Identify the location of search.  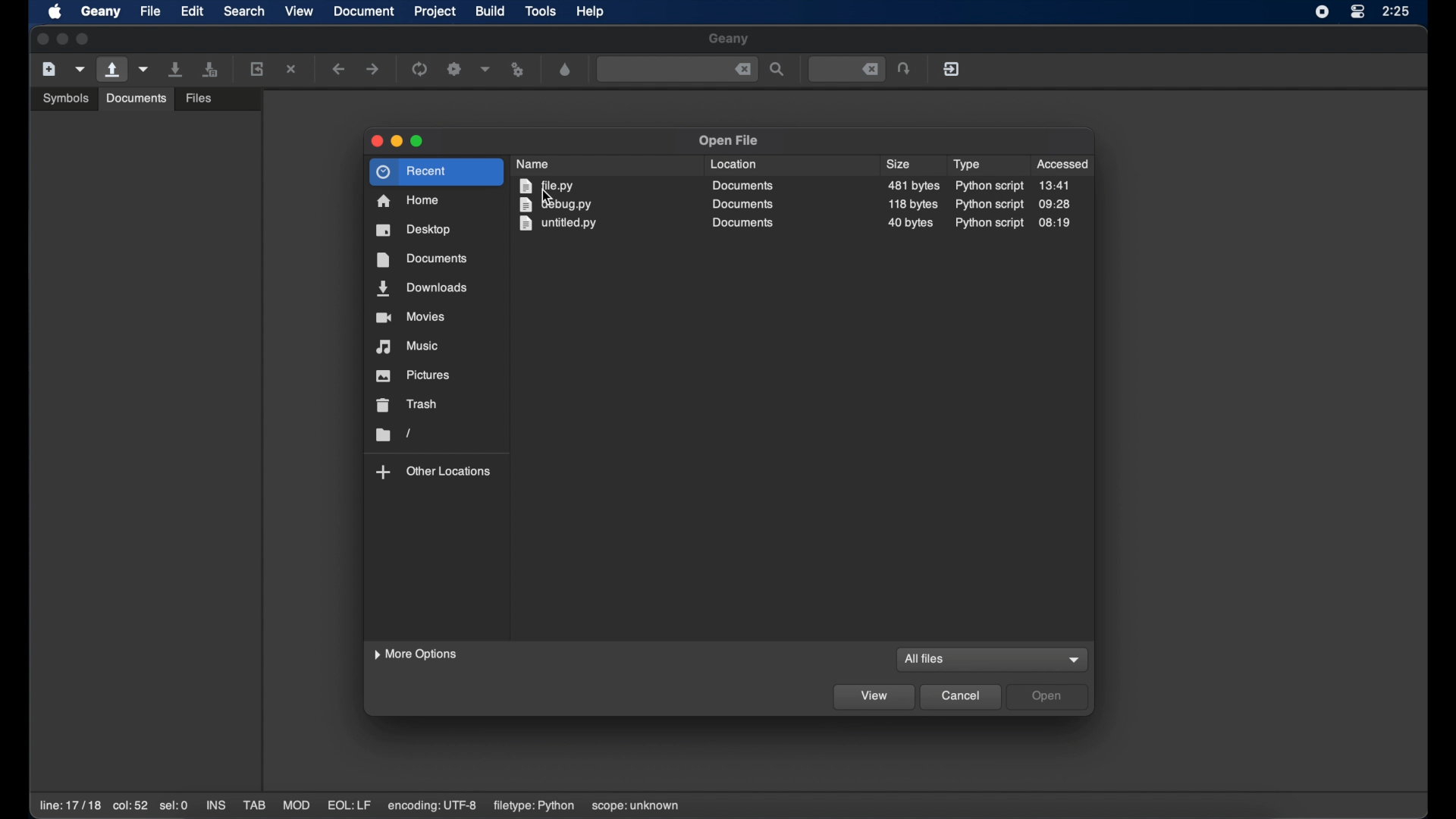
(244, 11).